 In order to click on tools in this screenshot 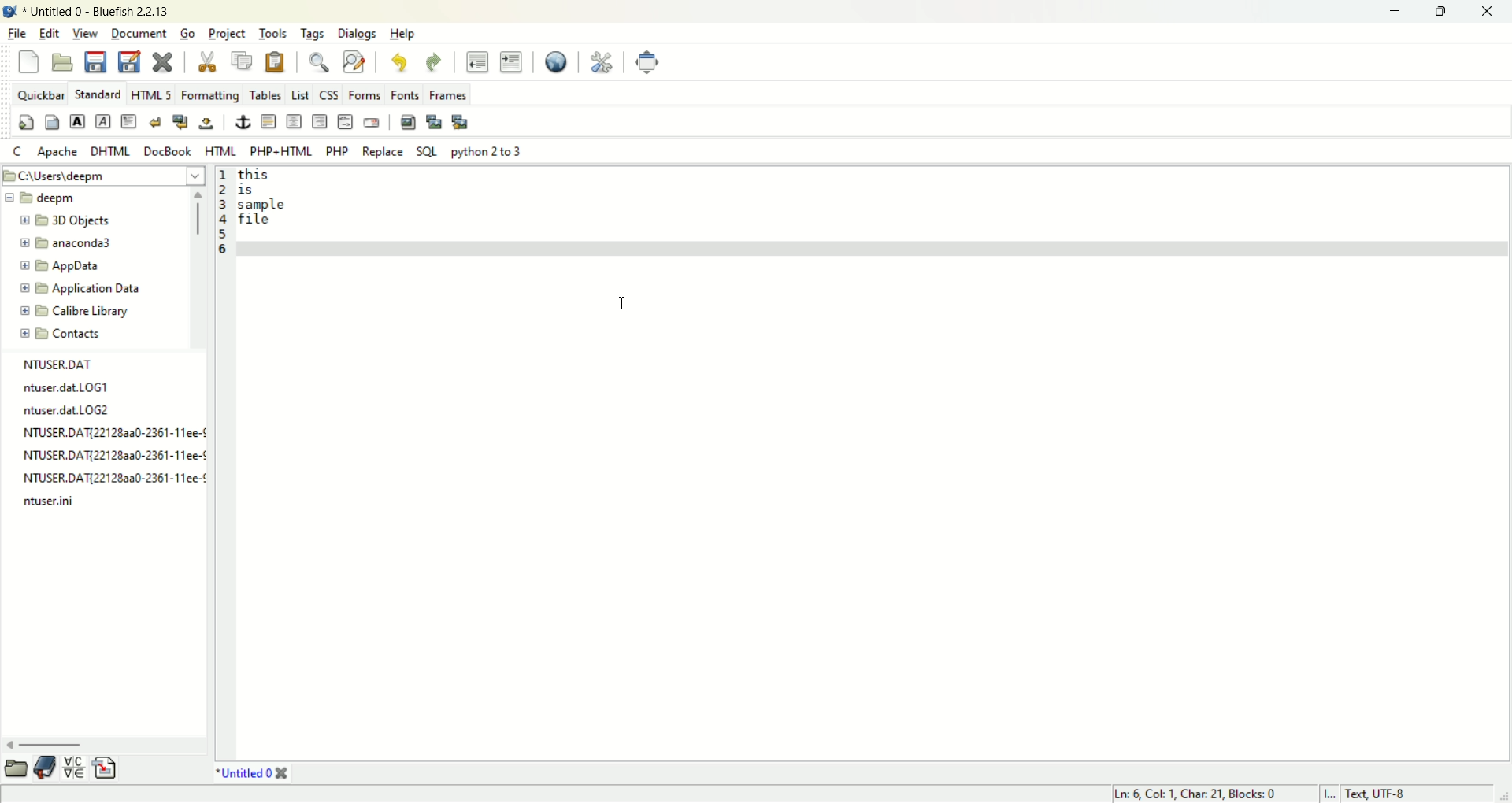, I will do `click(275, 31)`.